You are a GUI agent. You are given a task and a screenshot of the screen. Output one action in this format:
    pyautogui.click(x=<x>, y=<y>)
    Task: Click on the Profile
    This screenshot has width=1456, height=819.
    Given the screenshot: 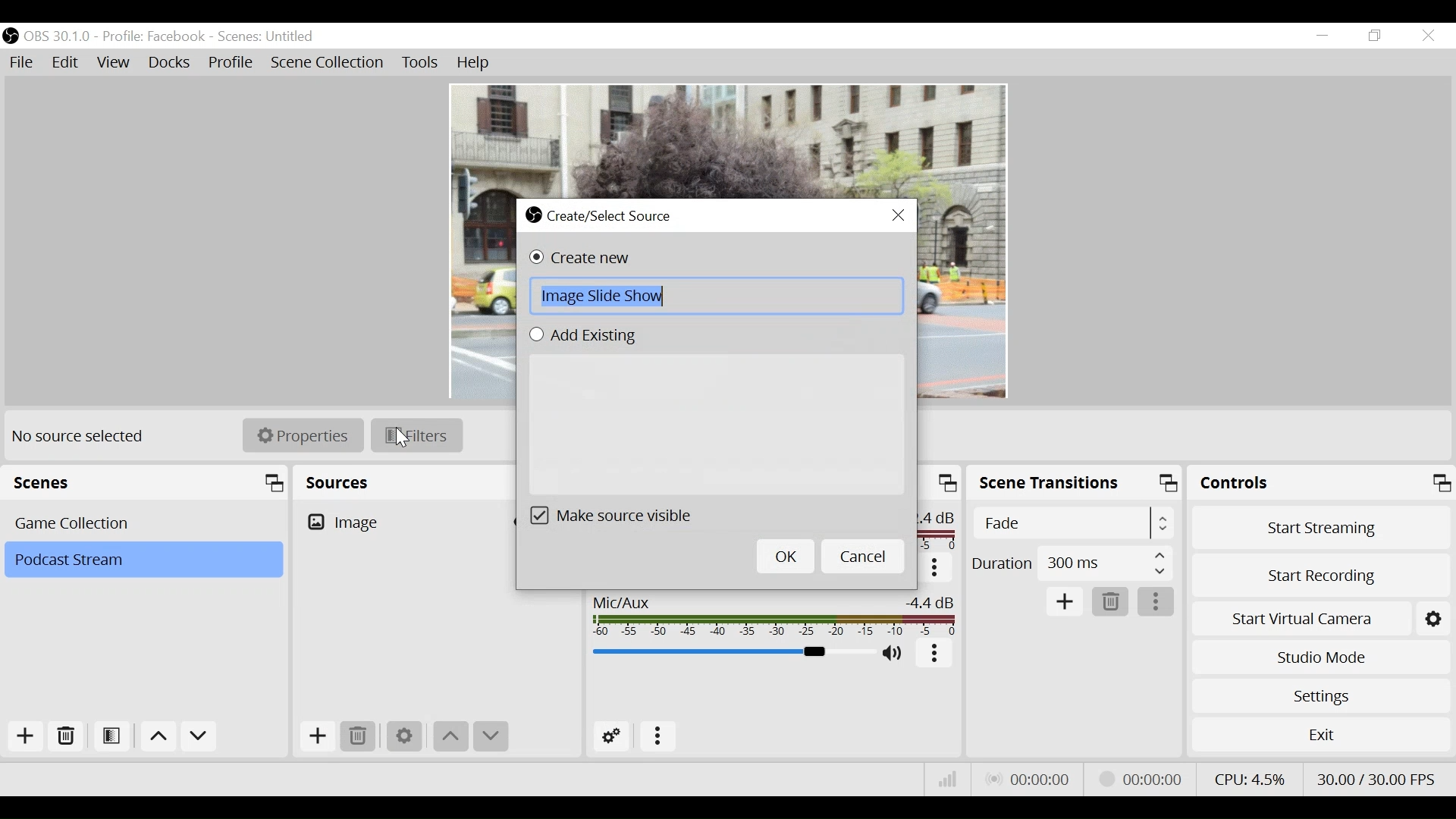 What is the action you would take?
    pyautogui.click(x=154, y=36)
    